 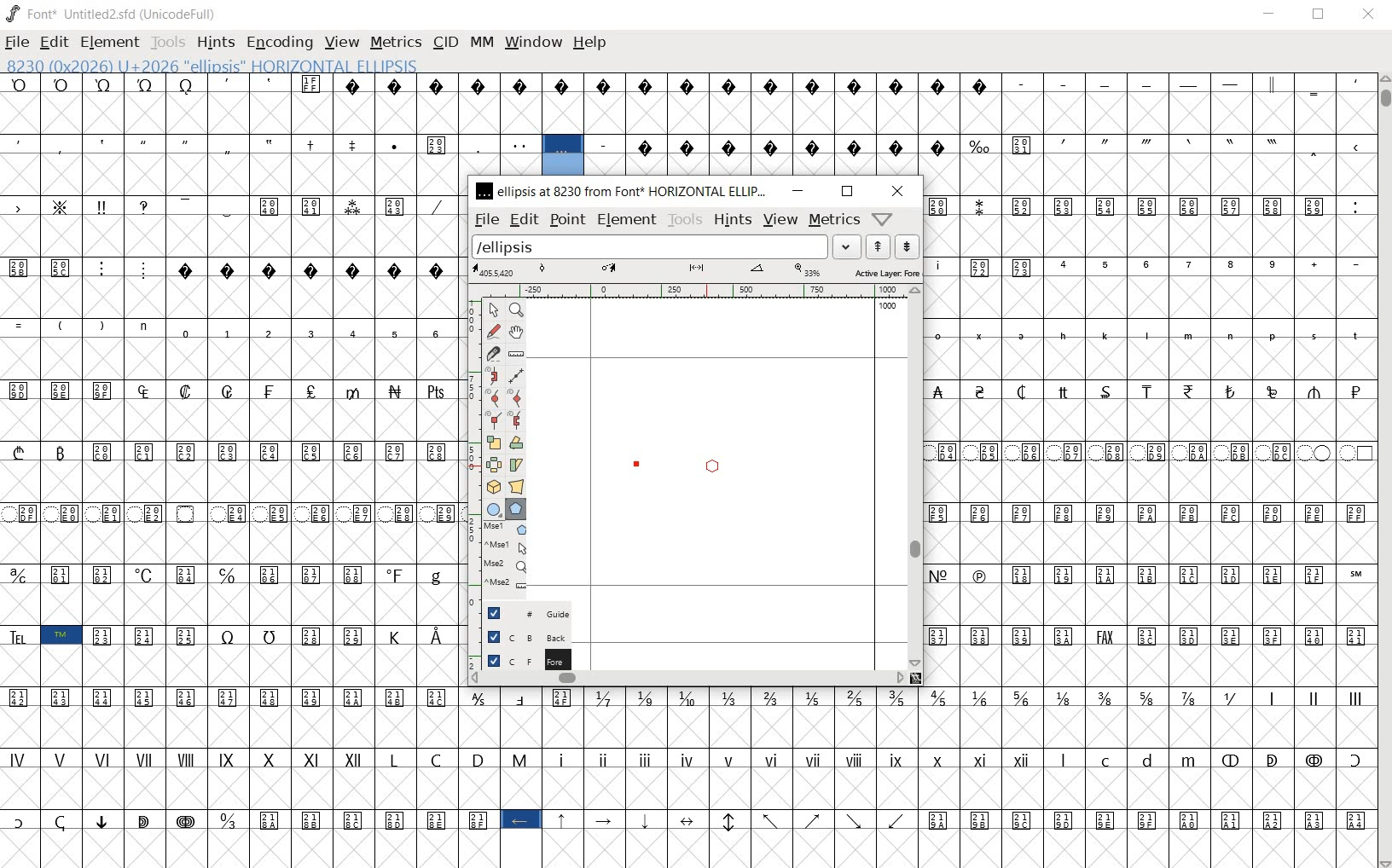 I want to click on skew the selection, so click(x=518, y=465).